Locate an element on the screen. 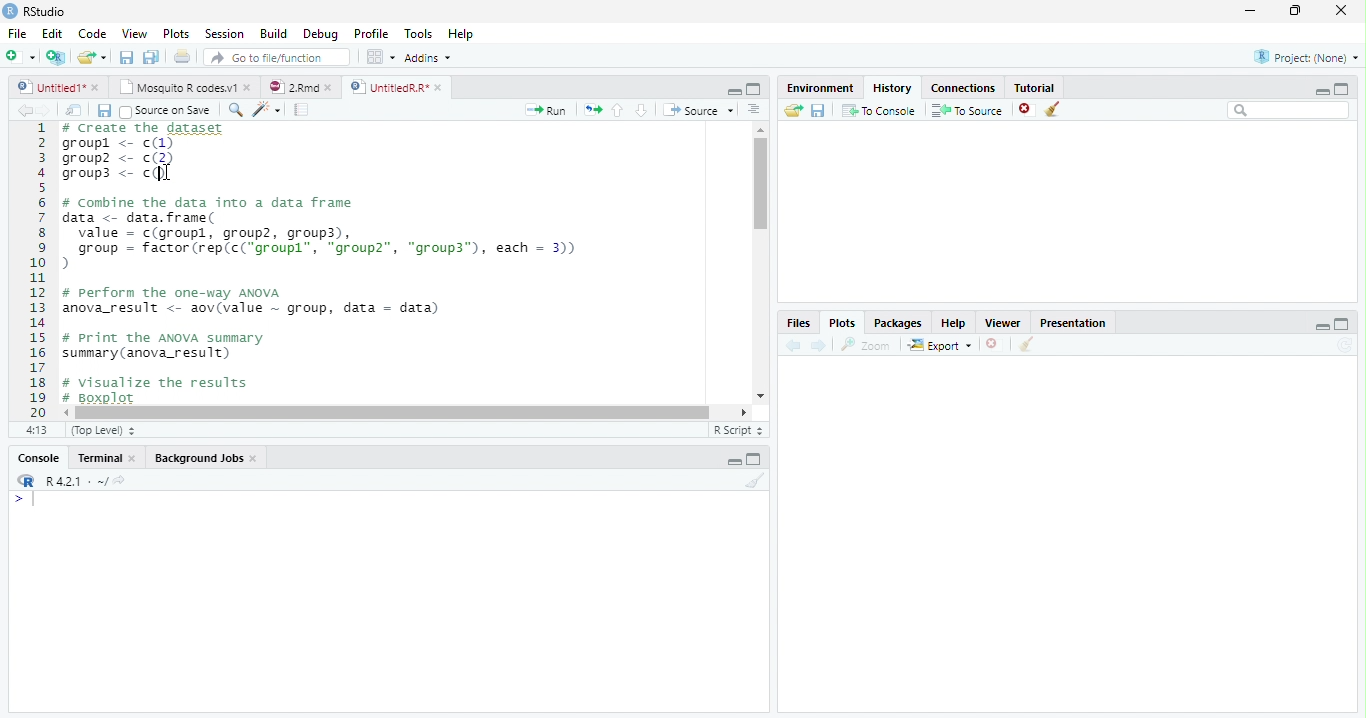  History is located at coordinates (893, 87).